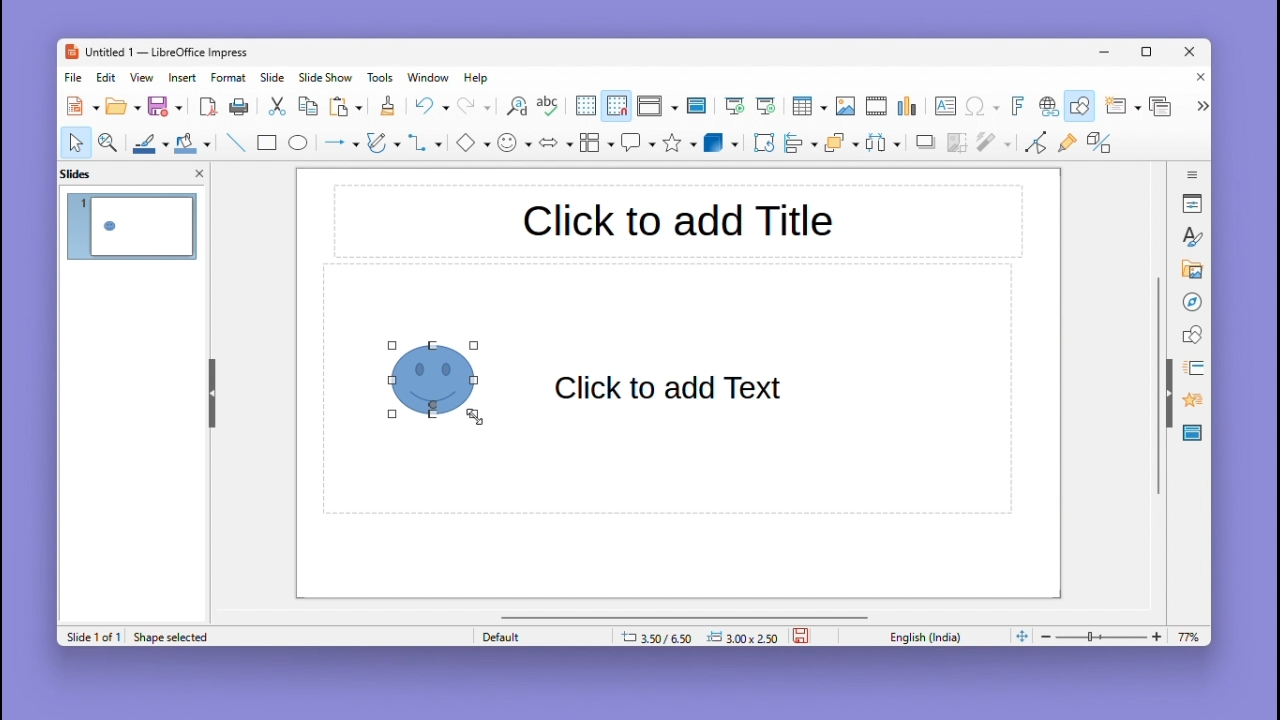 The height and width of the screenshot is (720, 1280). What do you see at coordinates (199, 172) in the screenshot?
I see `close` at bounding box center [199, 172].